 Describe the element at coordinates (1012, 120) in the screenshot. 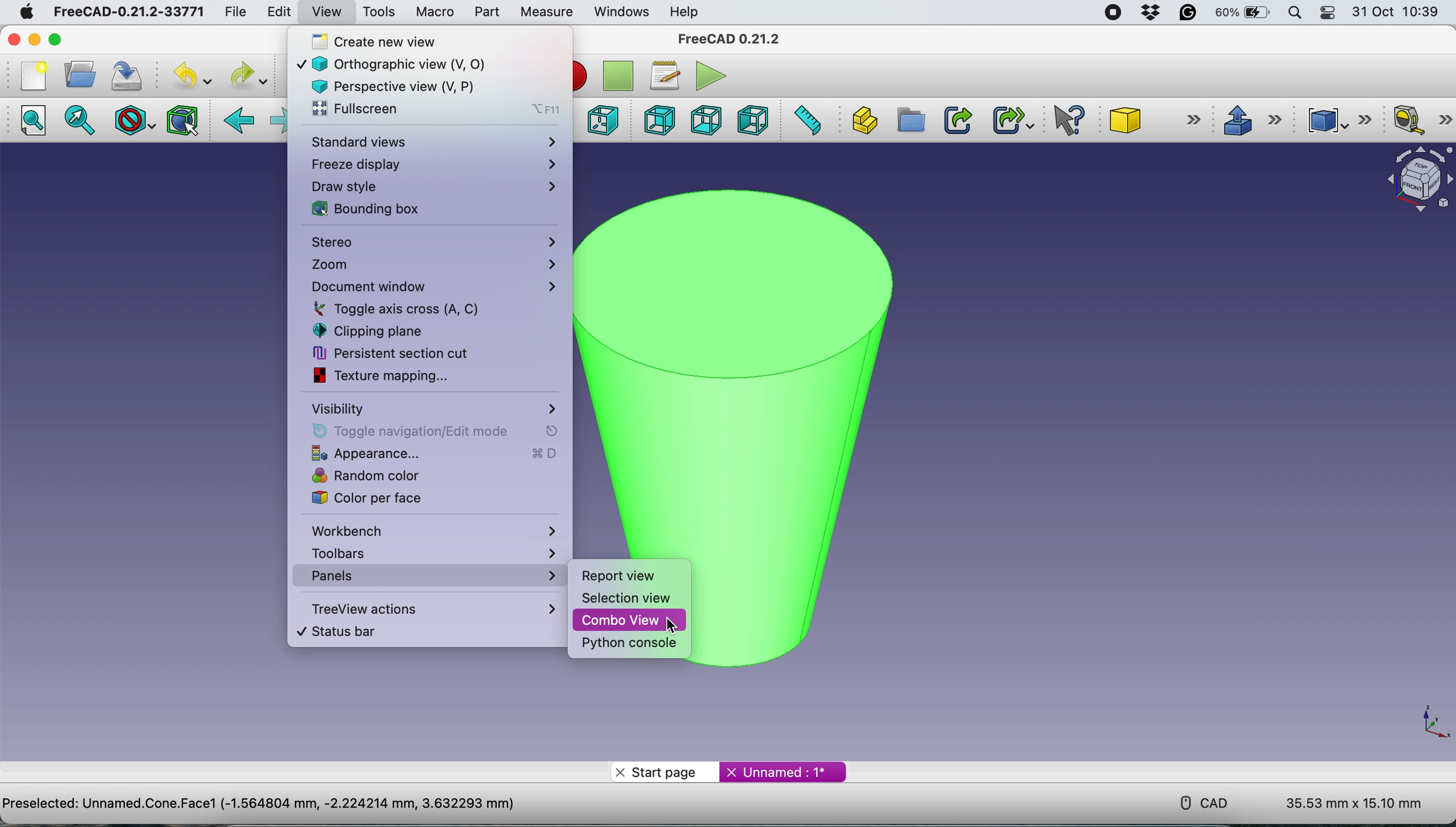

I see `make sub link` at that location.